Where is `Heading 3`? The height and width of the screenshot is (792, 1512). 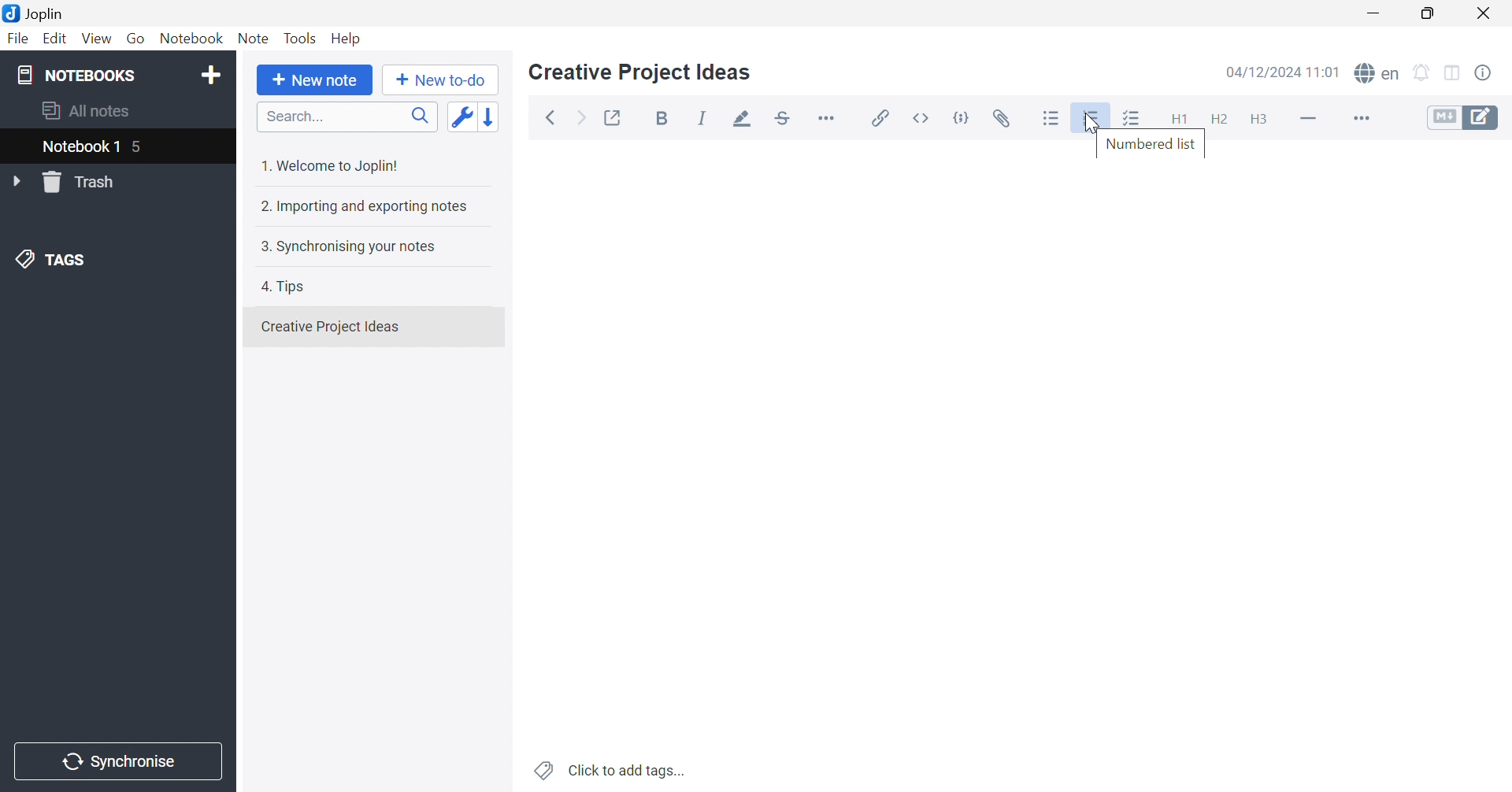 Heading 3 is located at coordinates (1259, 122).